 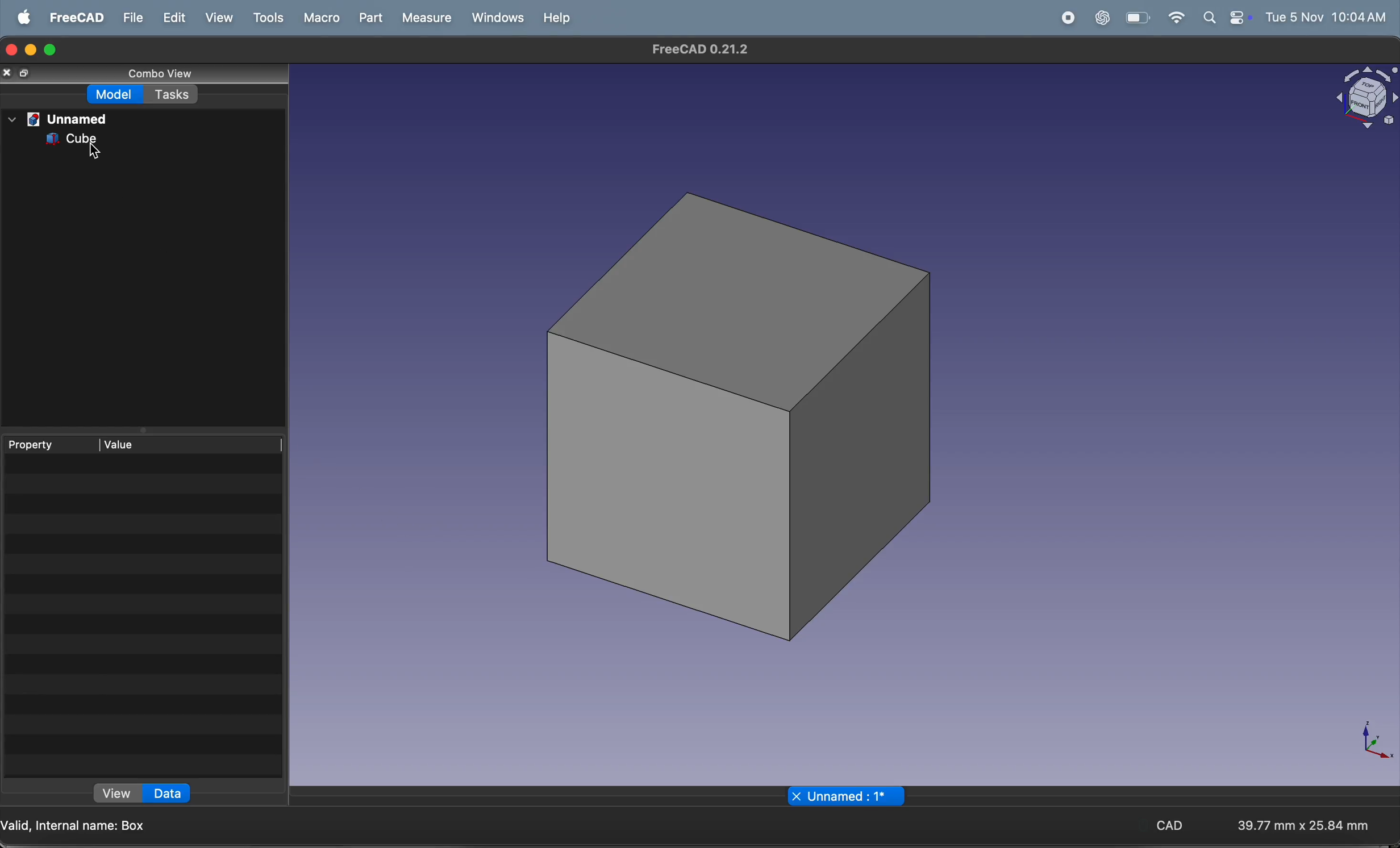 What do you see at coordinates (1299, 824) in the screenshot?
I see `aspect ratio` at bounding box center [1299, 824].